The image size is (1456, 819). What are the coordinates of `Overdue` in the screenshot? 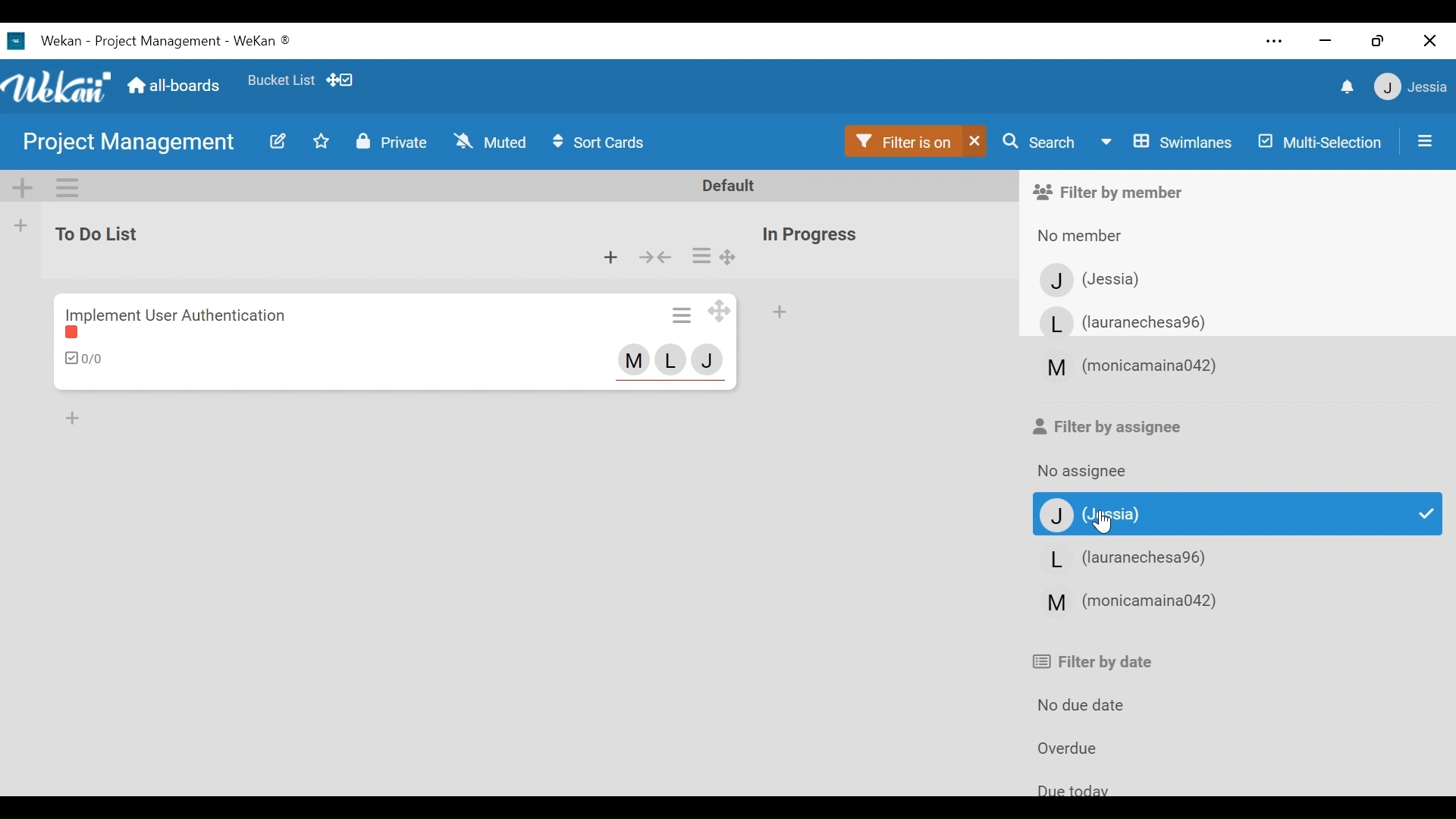 It's located at (1075, 750).